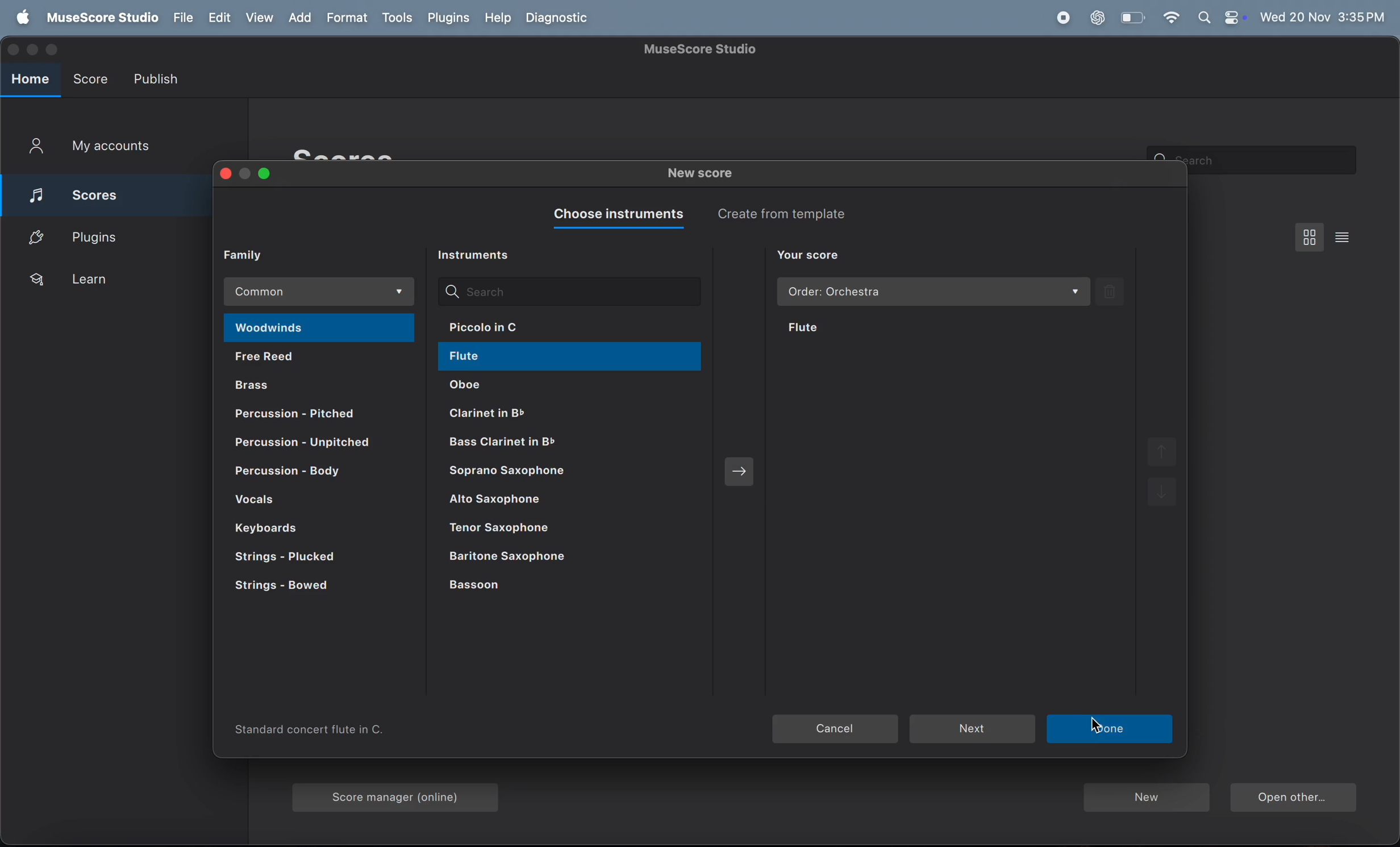 The height and width of the screenshot is (847, 1400). Describe the element at coordinates (303, 558) in the screenshot. I see `strings plucked` at that location.